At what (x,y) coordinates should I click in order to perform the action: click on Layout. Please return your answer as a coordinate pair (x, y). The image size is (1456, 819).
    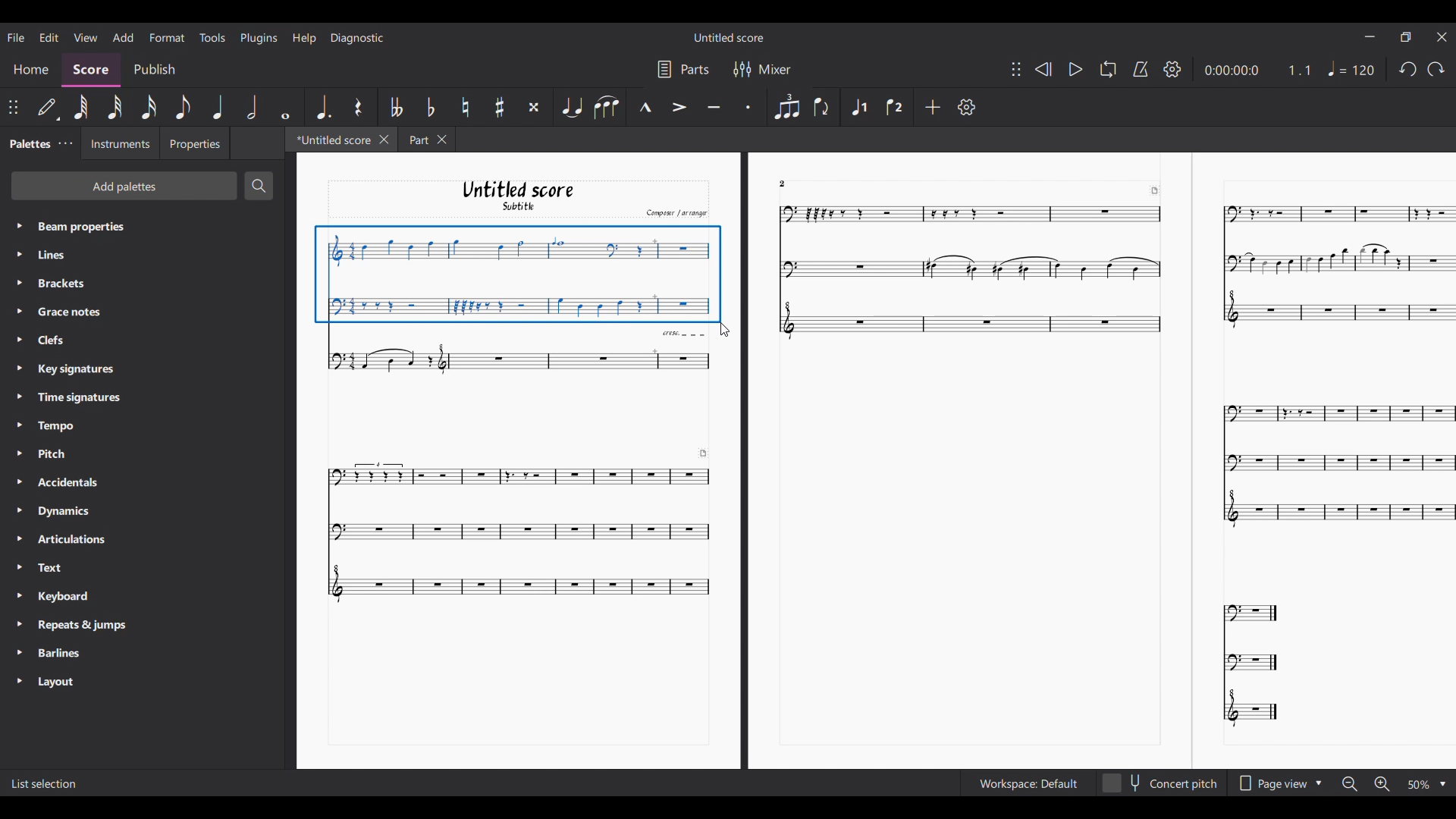
    Looking at the image, I should click on (61, 682).